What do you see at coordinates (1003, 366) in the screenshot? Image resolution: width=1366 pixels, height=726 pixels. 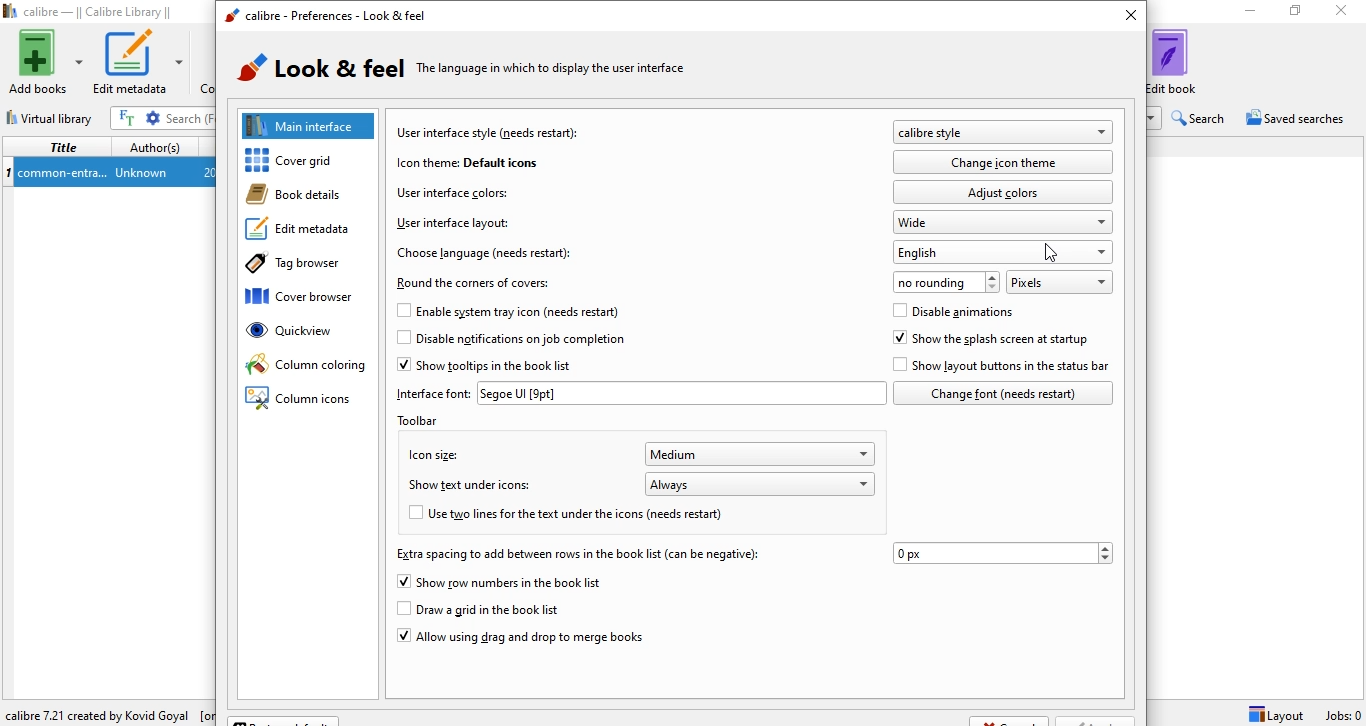 I see `show layout buttons in the status bar` at bounding box center [1003, 366].